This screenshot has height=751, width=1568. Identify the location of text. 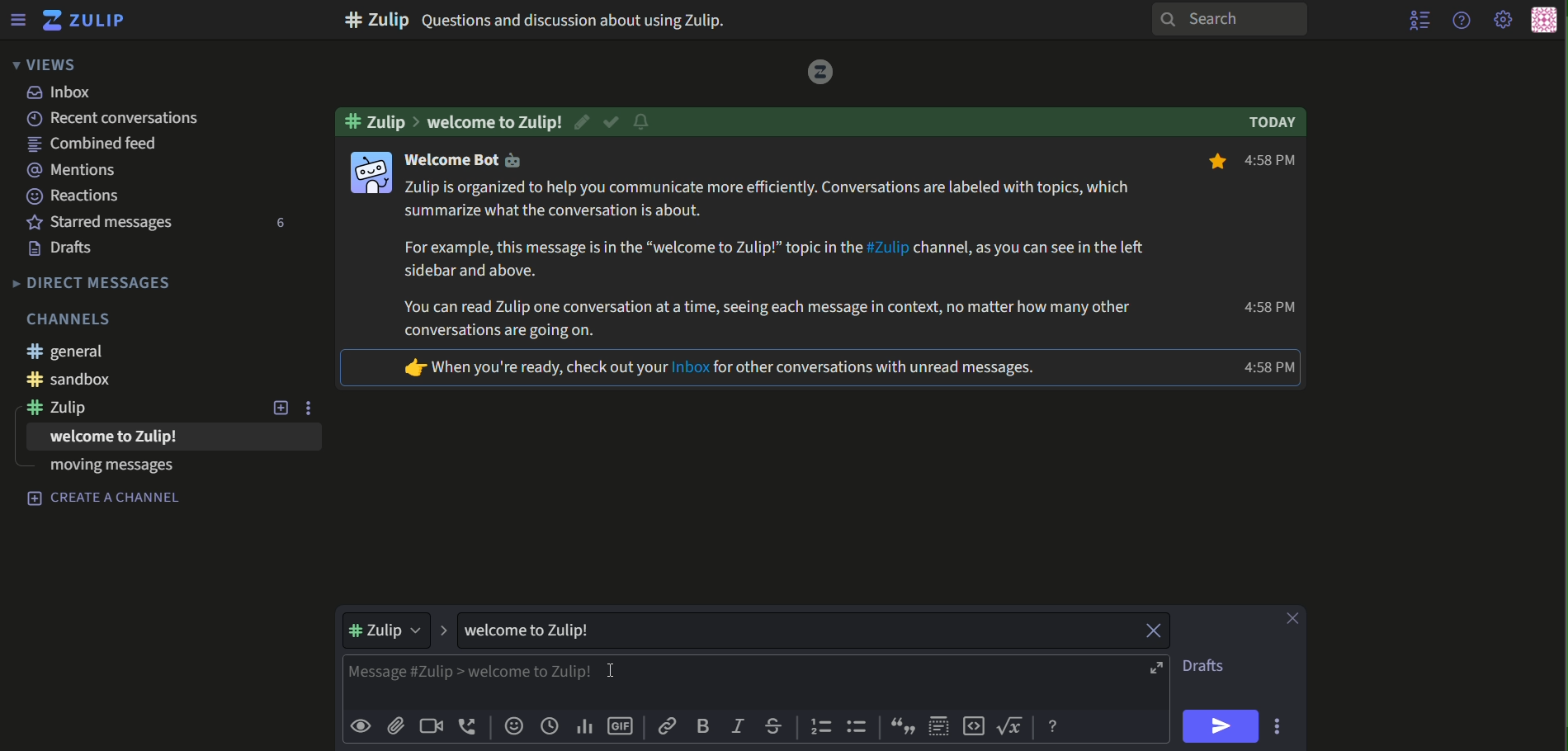
(1276, 162).